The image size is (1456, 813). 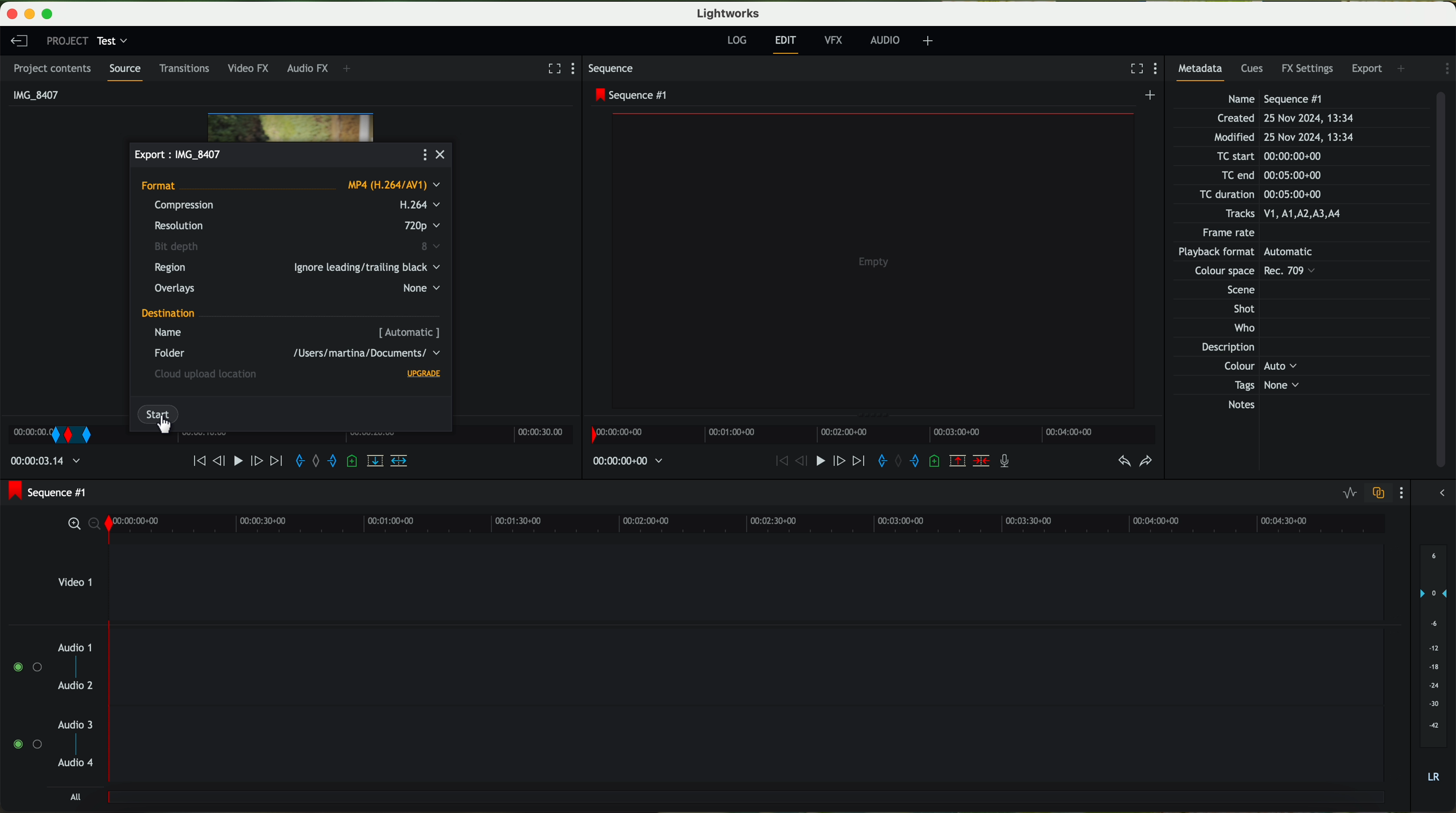 I want to click on close popup, so click(x=443, y=155).